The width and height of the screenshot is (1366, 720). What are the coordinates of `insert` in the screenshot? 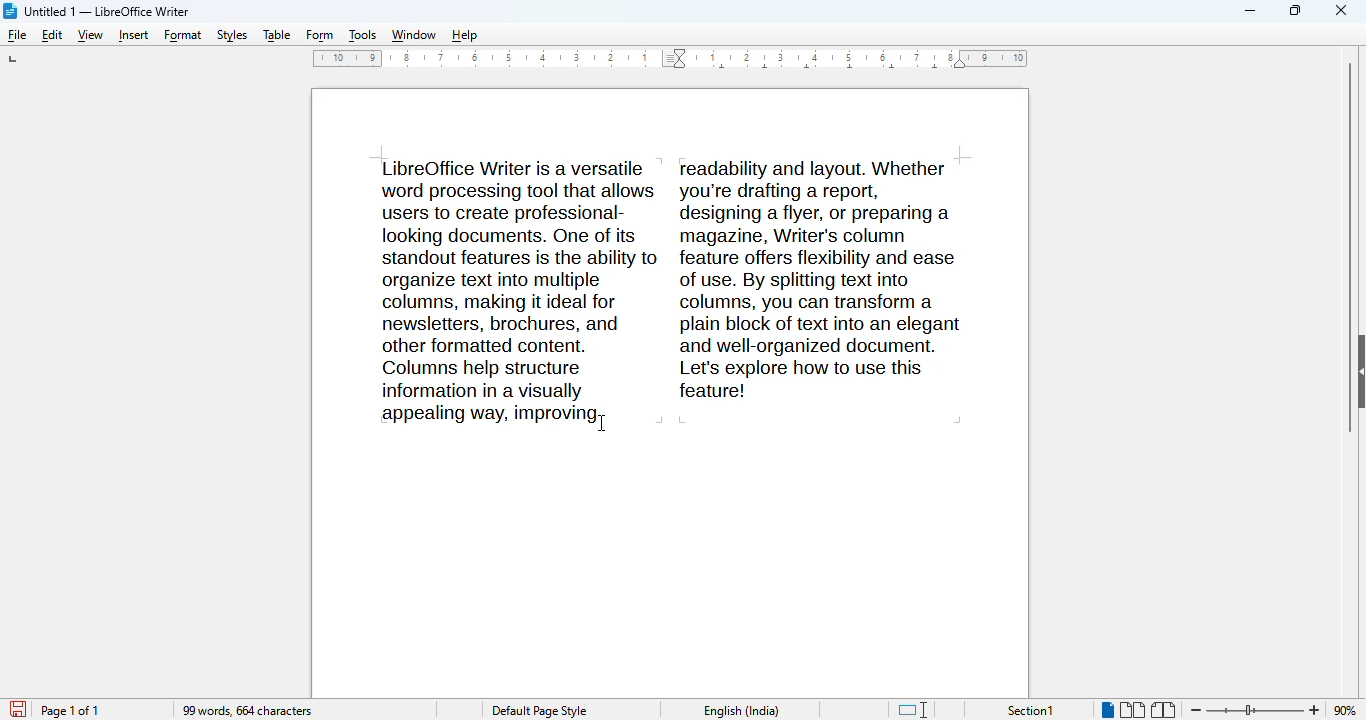 It's located at (134, 37).